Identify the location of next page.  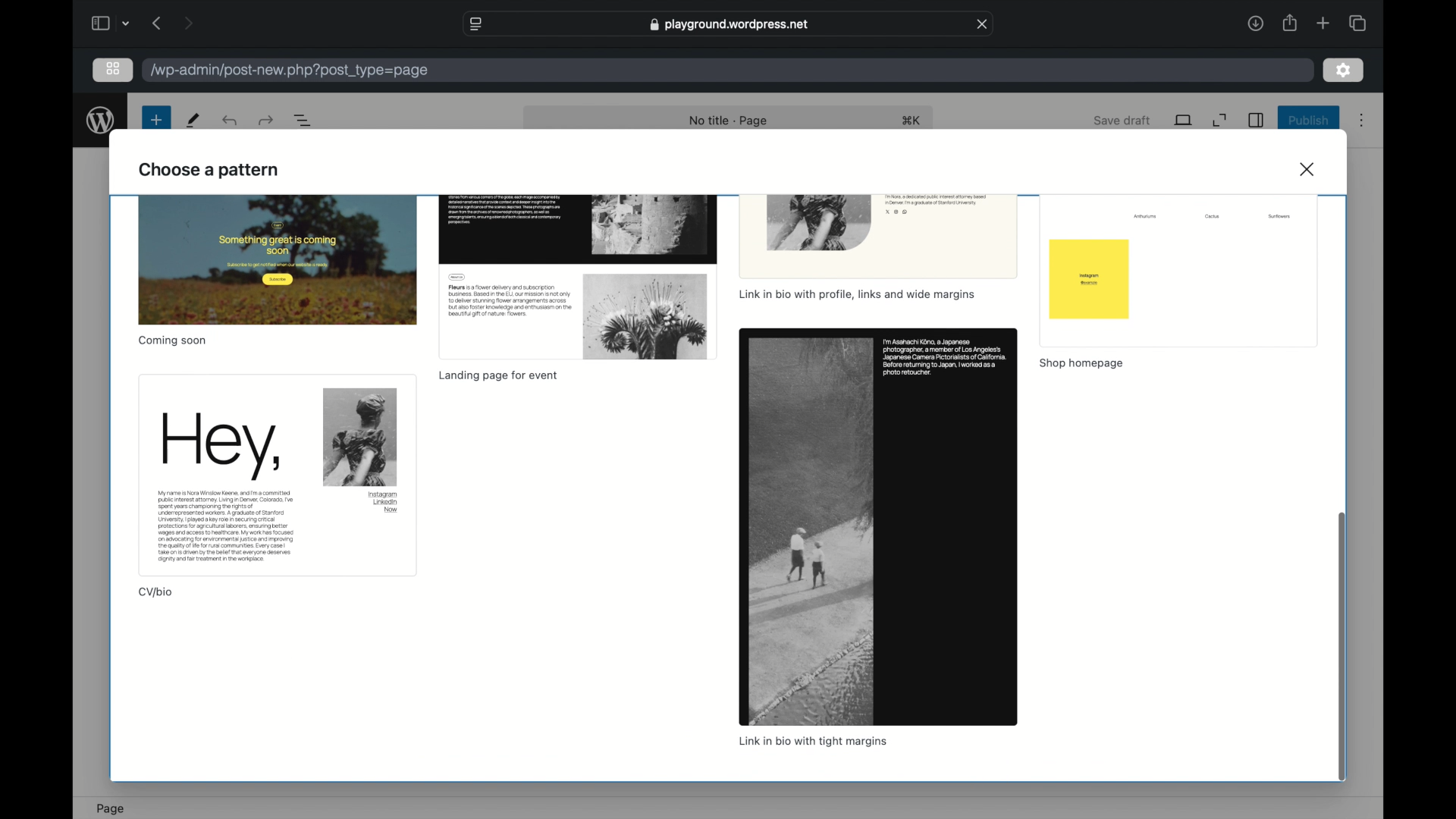
(188, 23).